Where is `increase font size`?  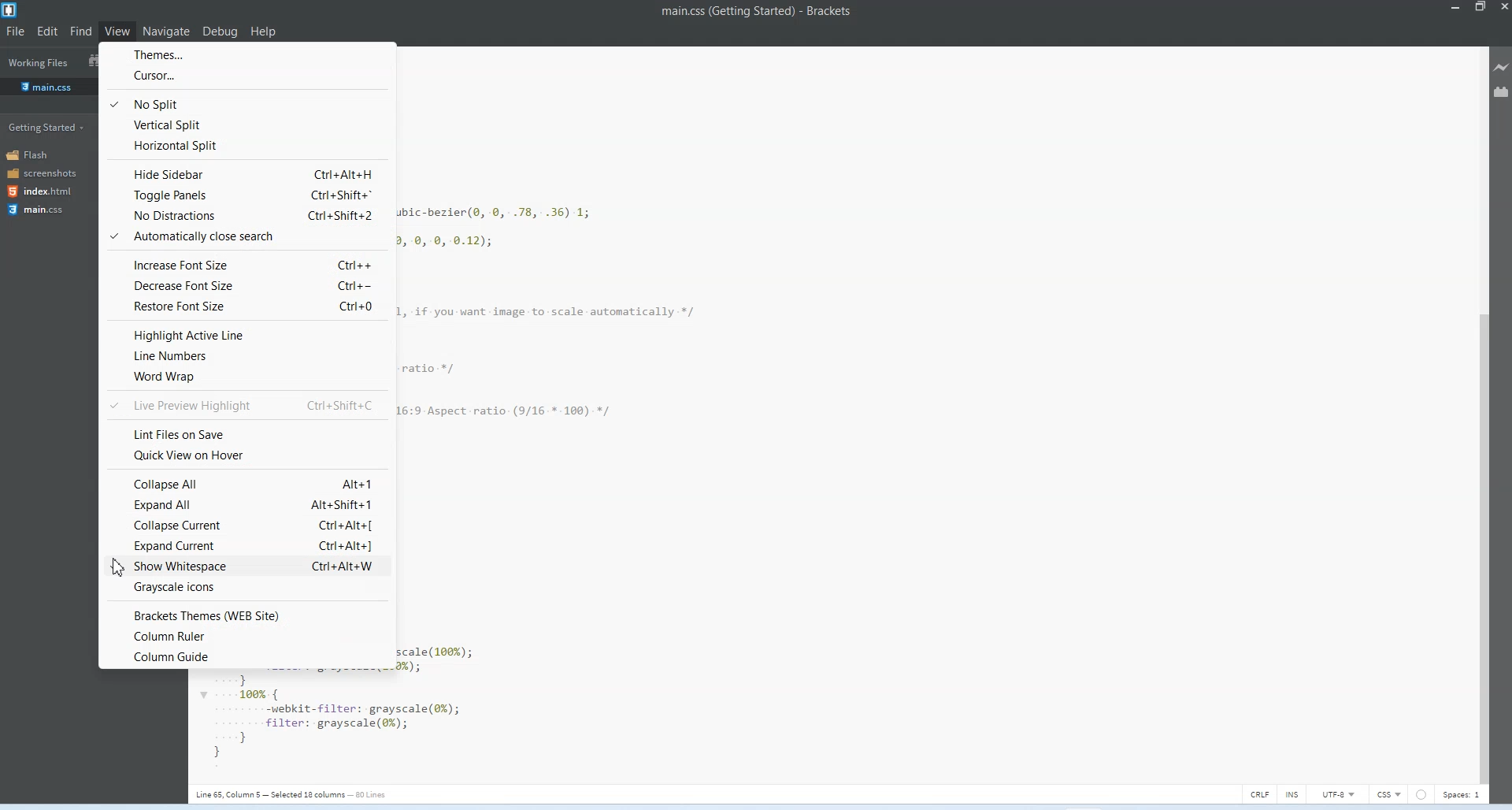
increase font size is located at coordinates (245, 263).